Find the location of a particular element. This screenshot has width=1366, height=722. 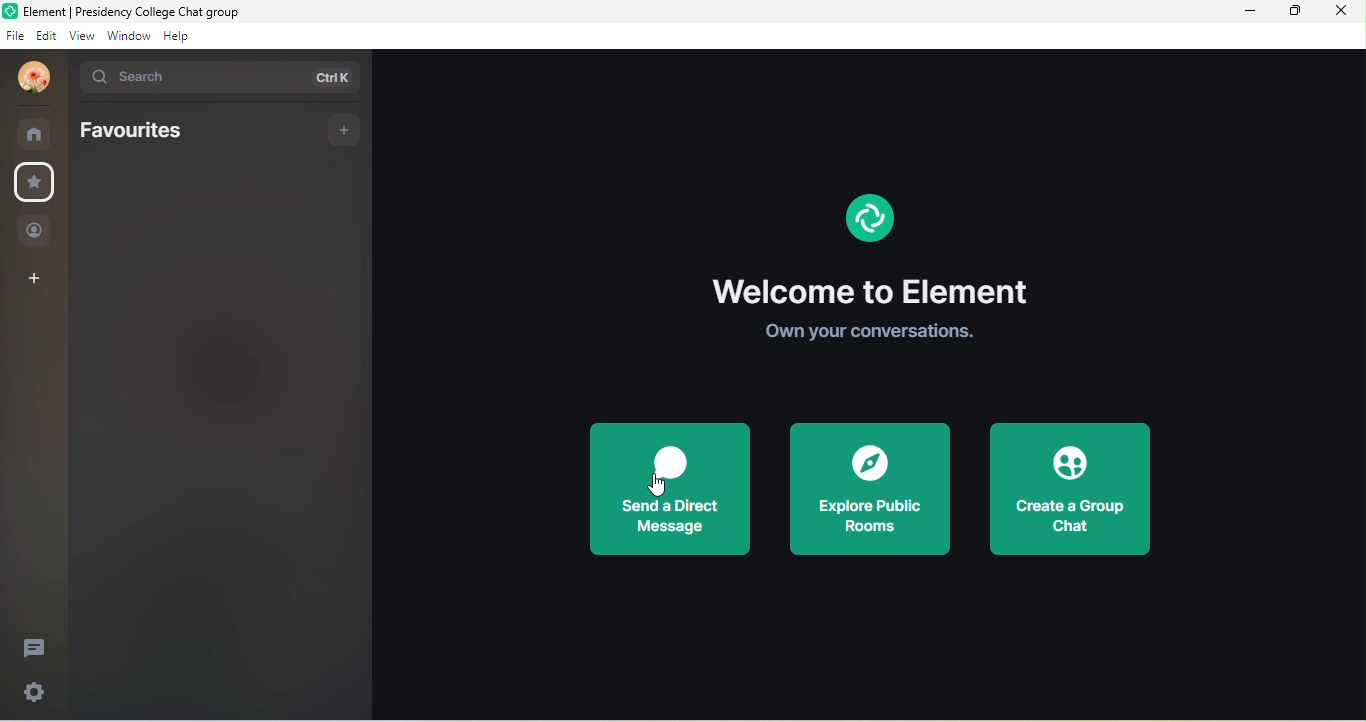

Logo is located at coordinates (11, 10).